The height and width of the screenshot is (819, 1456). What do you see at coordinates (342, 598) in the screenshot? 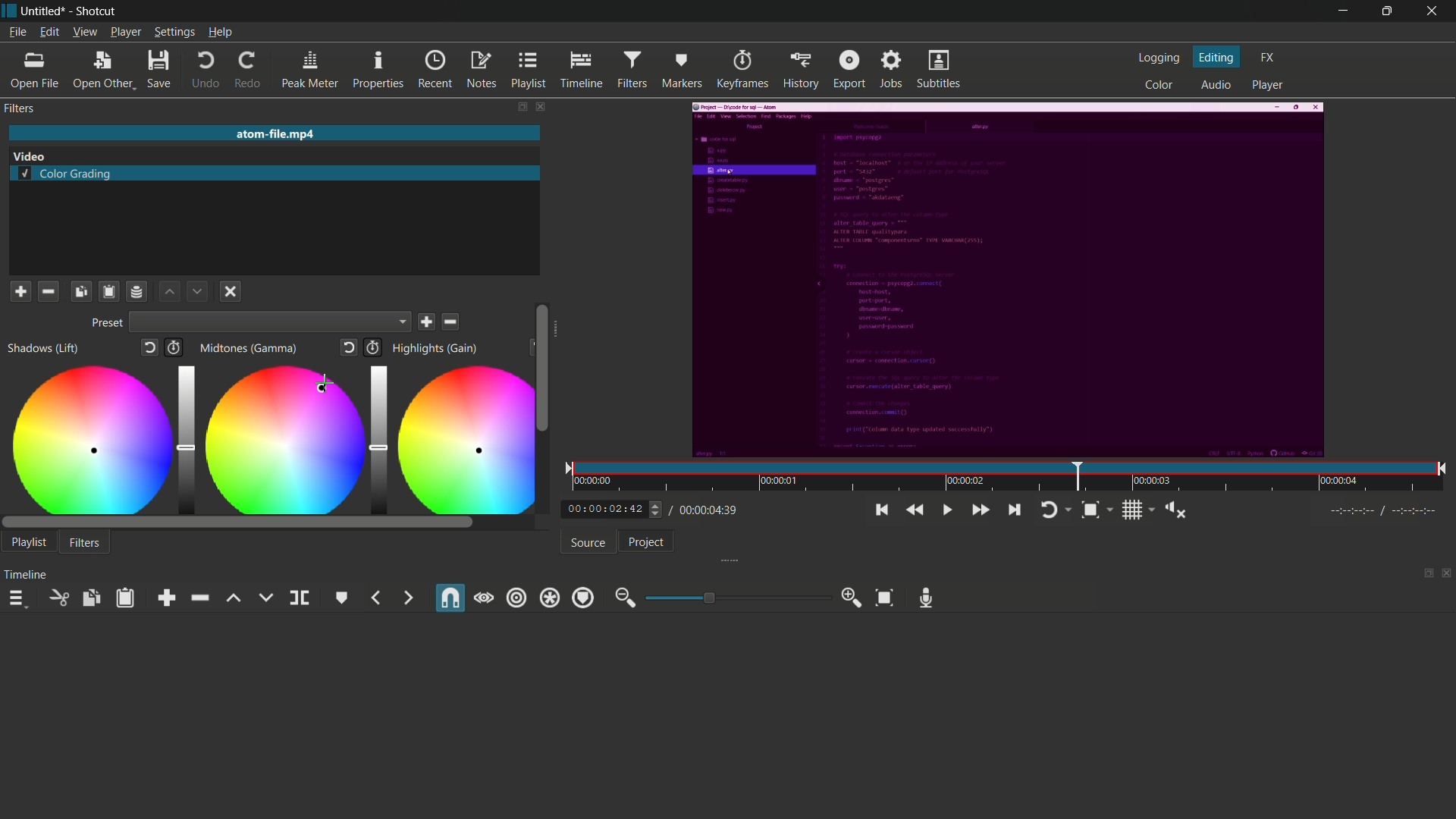
I see `create or edit marker` at bounding box center [342, 598].